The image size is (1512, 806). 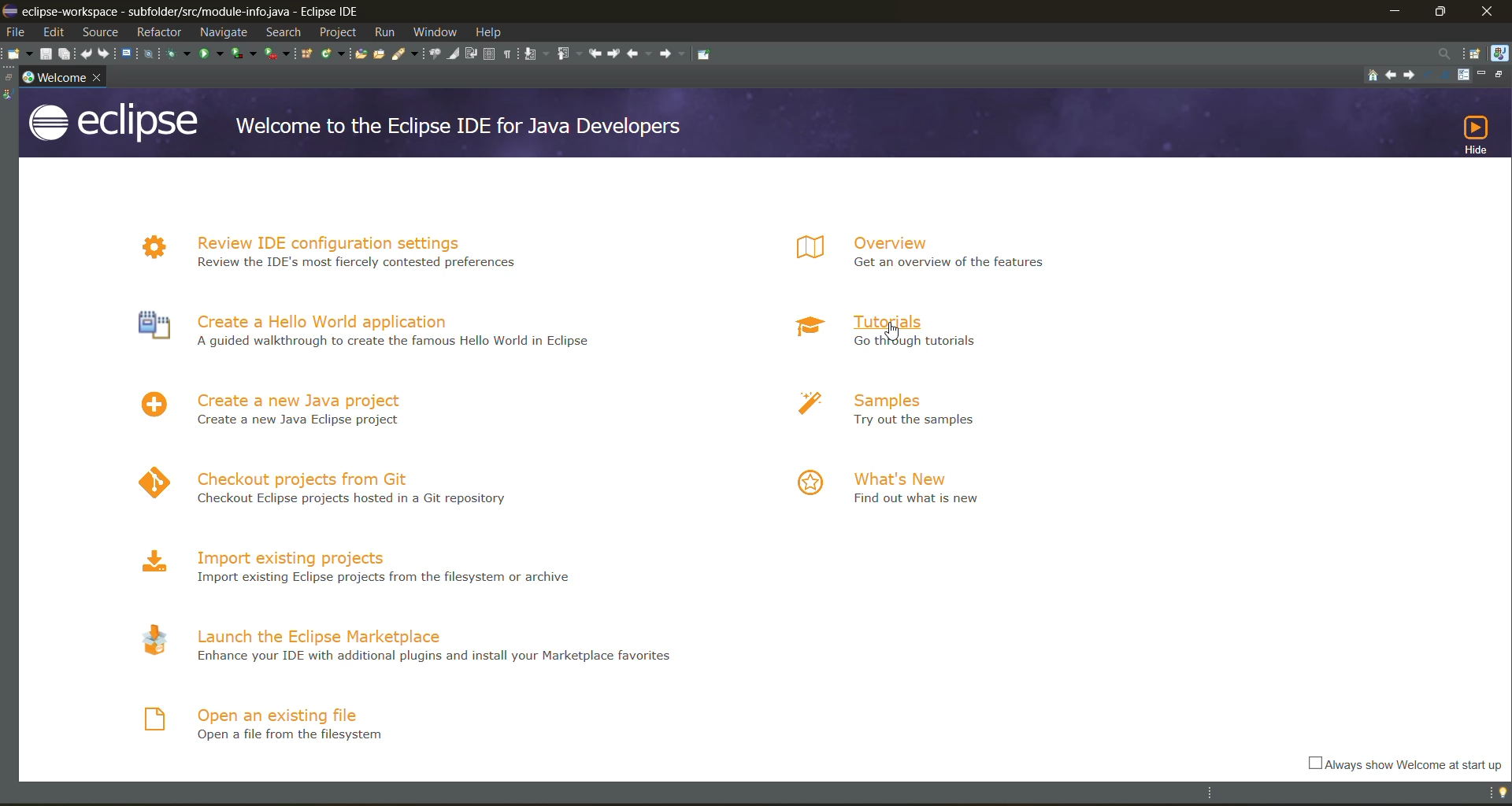 I want to click on open task, so click(x=380, y=52).